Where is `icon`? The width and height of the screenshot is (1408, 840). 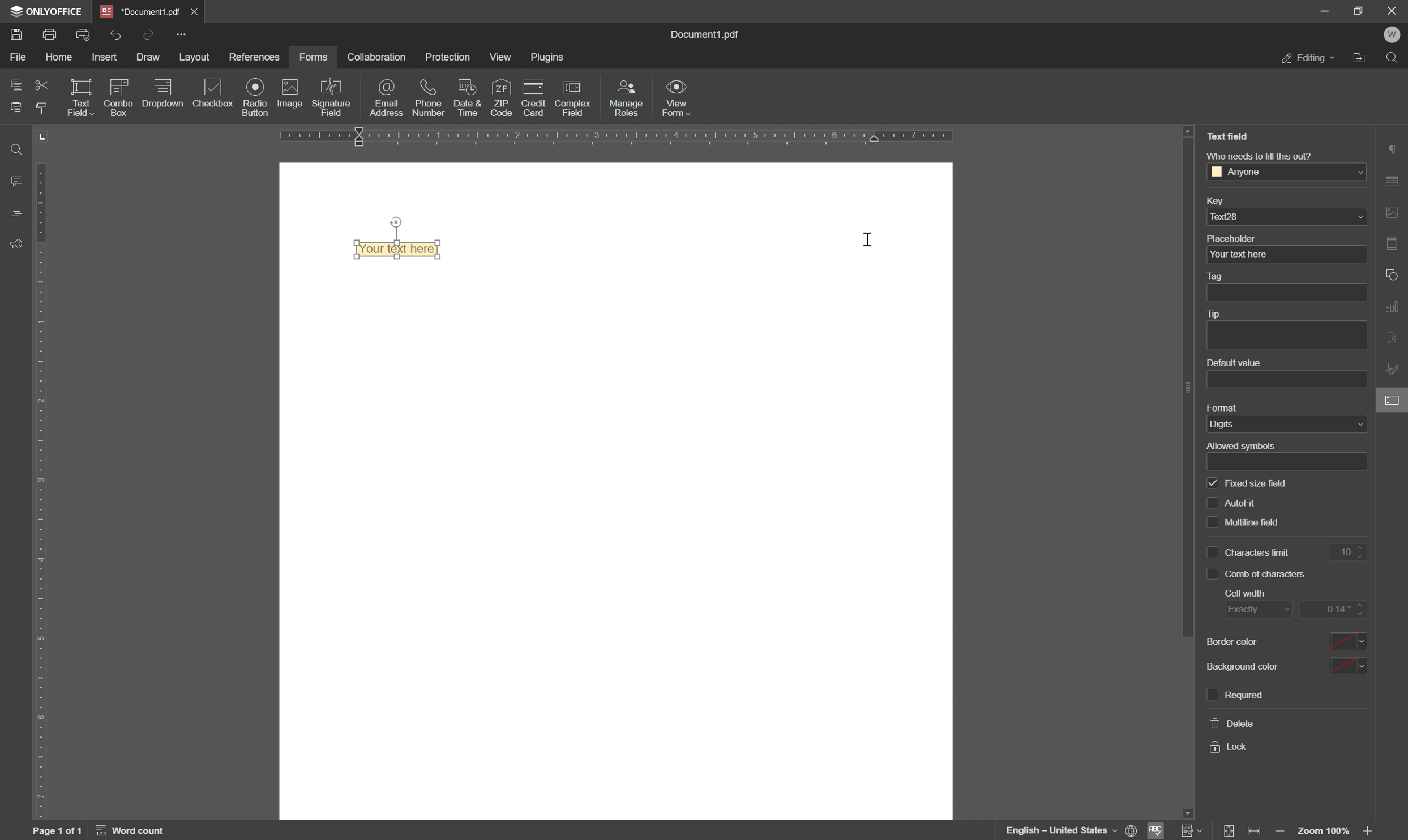
icon is located at coordinates (164, 86).